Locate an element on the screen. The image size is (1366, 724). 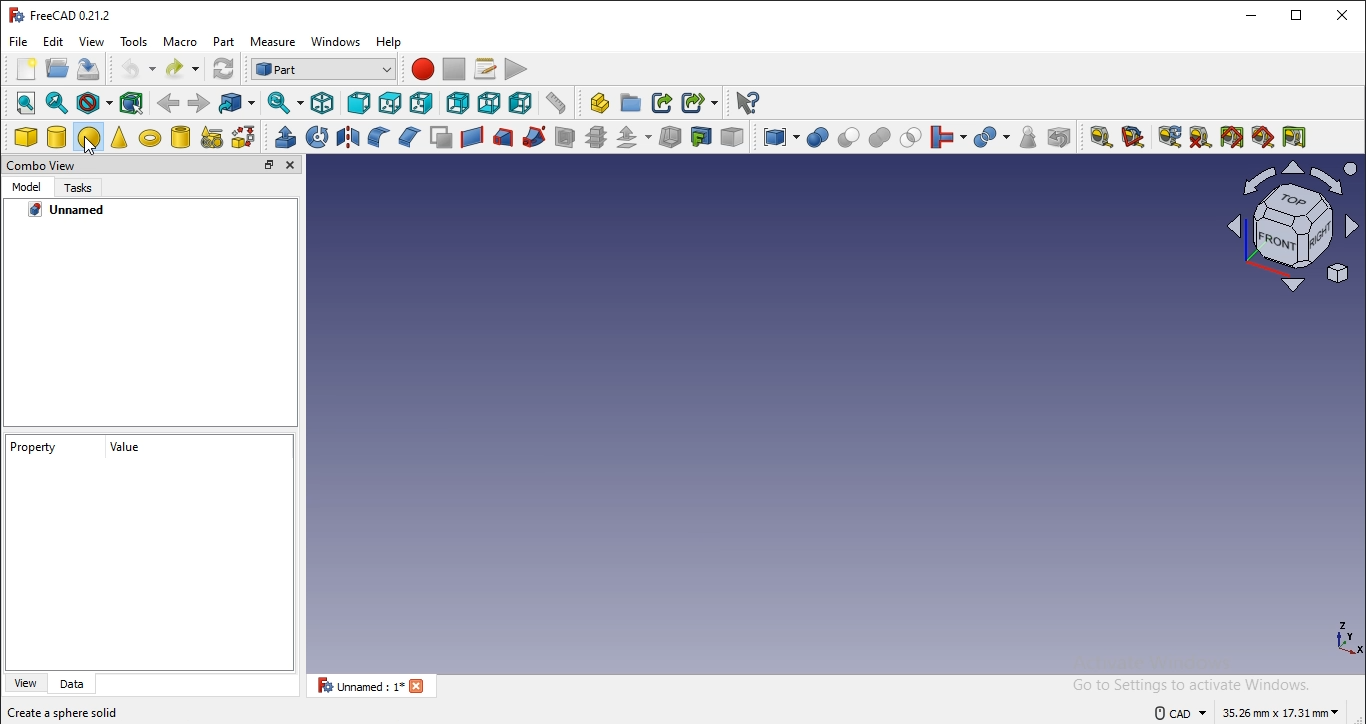
new is located at coordinates (26, 68).